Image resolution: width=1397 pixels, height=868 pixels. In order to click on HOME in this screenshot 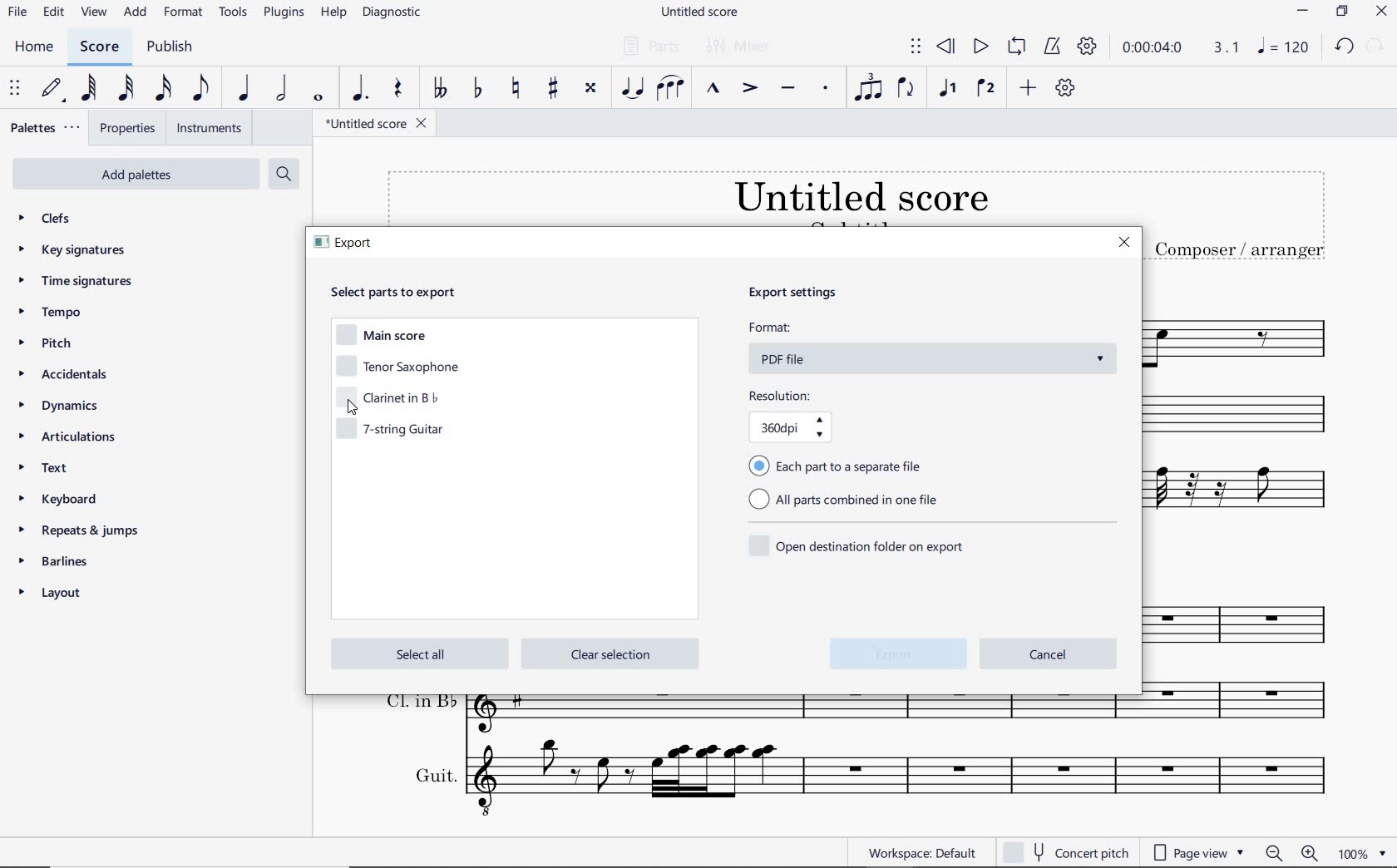, I will do `click(34, 47)`.